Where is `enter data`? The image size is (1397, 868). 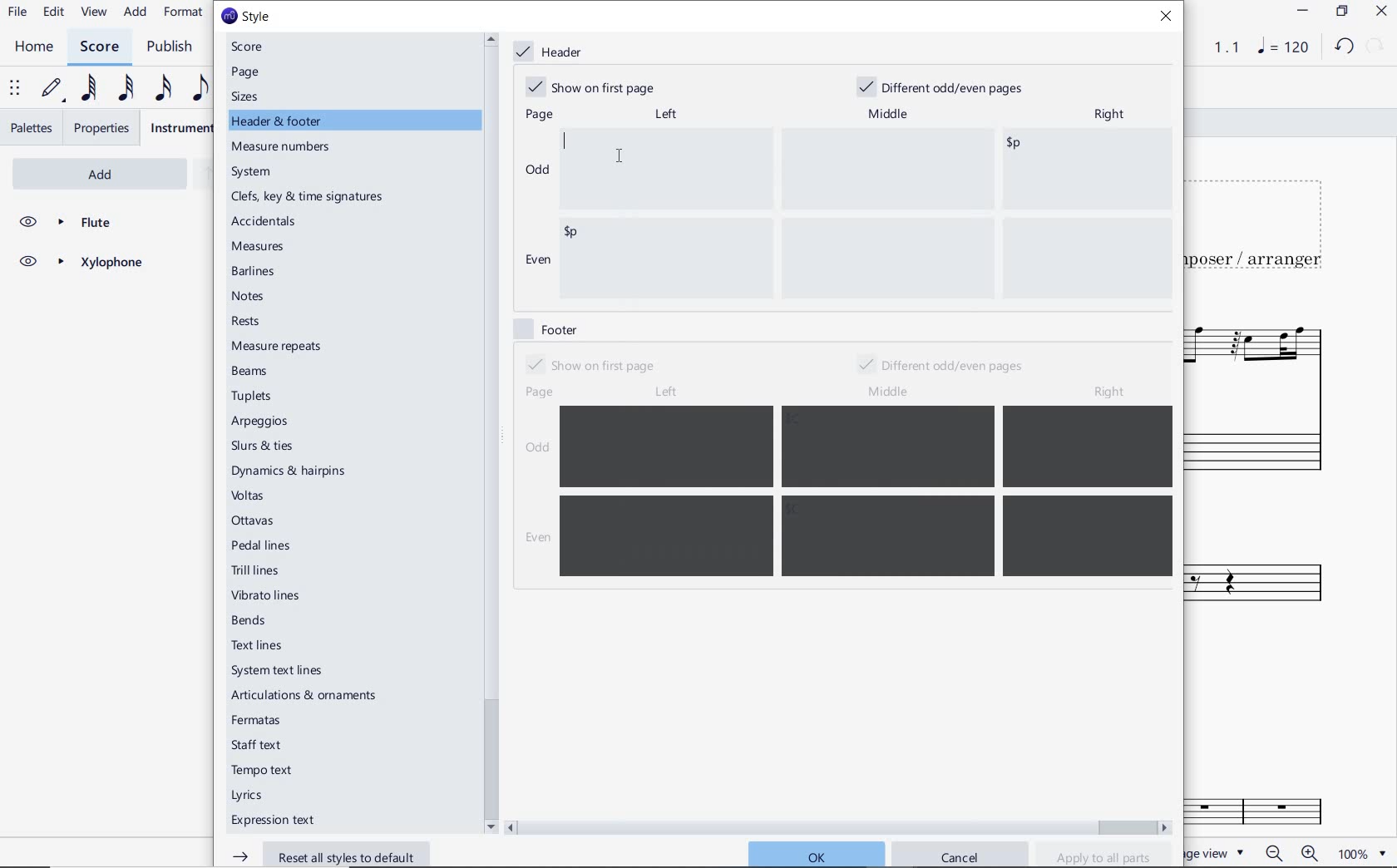
enter data is located at coordinates (573, 230).